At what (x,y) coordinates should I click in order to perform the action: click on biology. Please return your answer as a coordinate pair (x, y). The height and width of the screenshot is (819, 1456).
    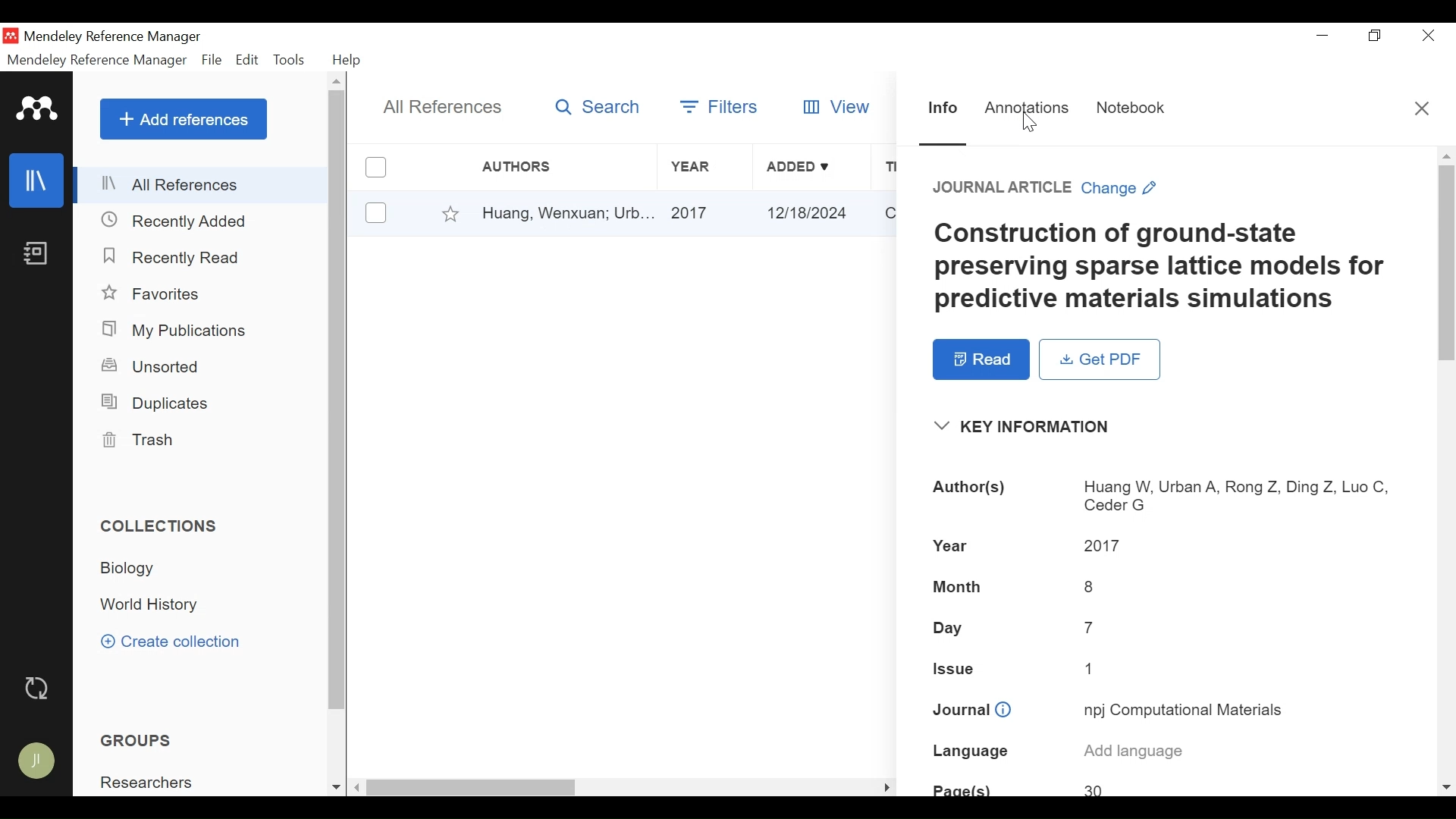
    Looking at the image, I should click on (133, 569).